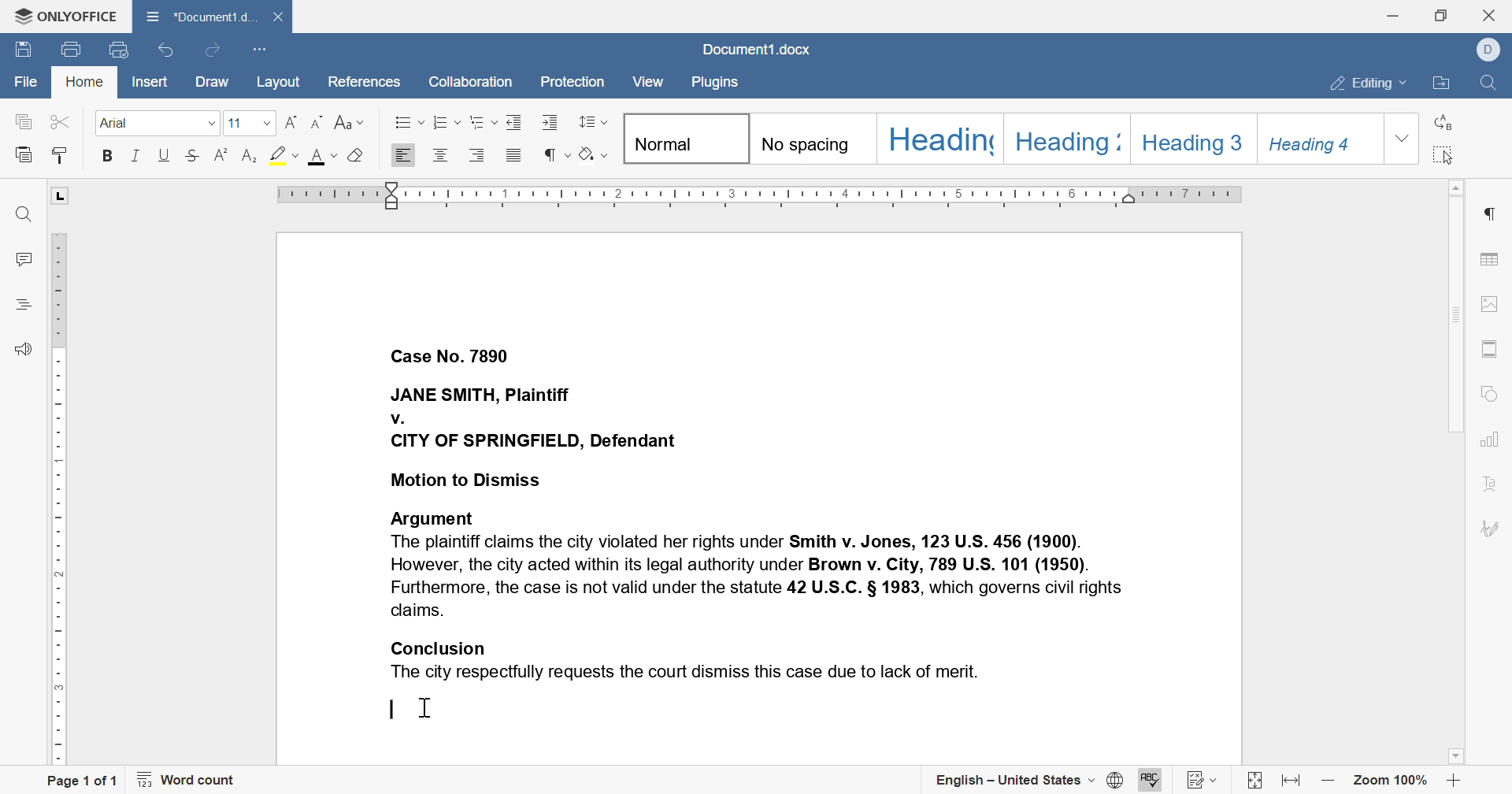  What do you see at coordinates (1392, 779) in the screenshot?
I see `zoom 100%` at bounding box center [1392, 779].